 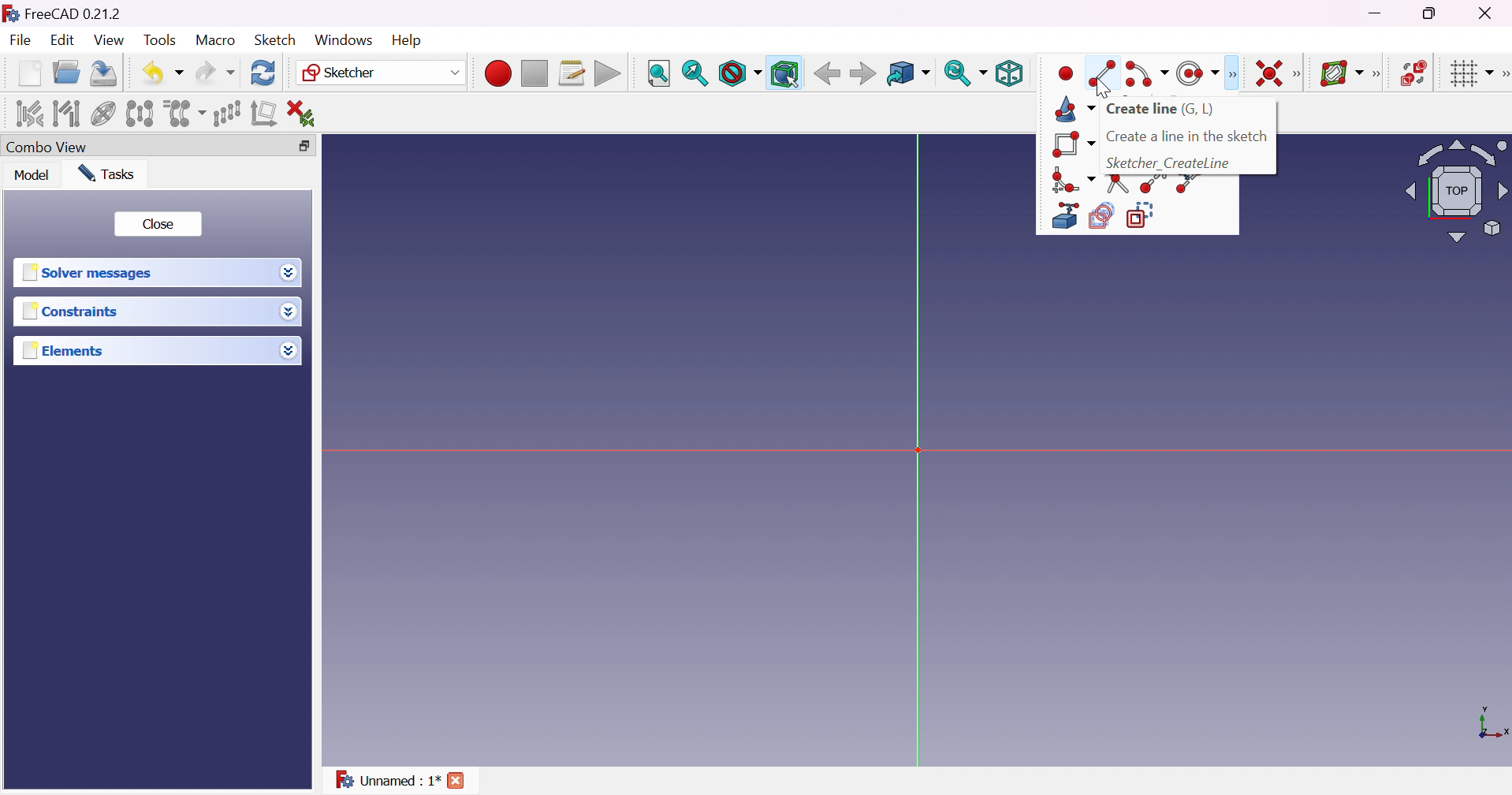 What do you see at coordinates (1063, 75) in the screenshot?
I see `Create Slot` at bounding box center [1063, 75].